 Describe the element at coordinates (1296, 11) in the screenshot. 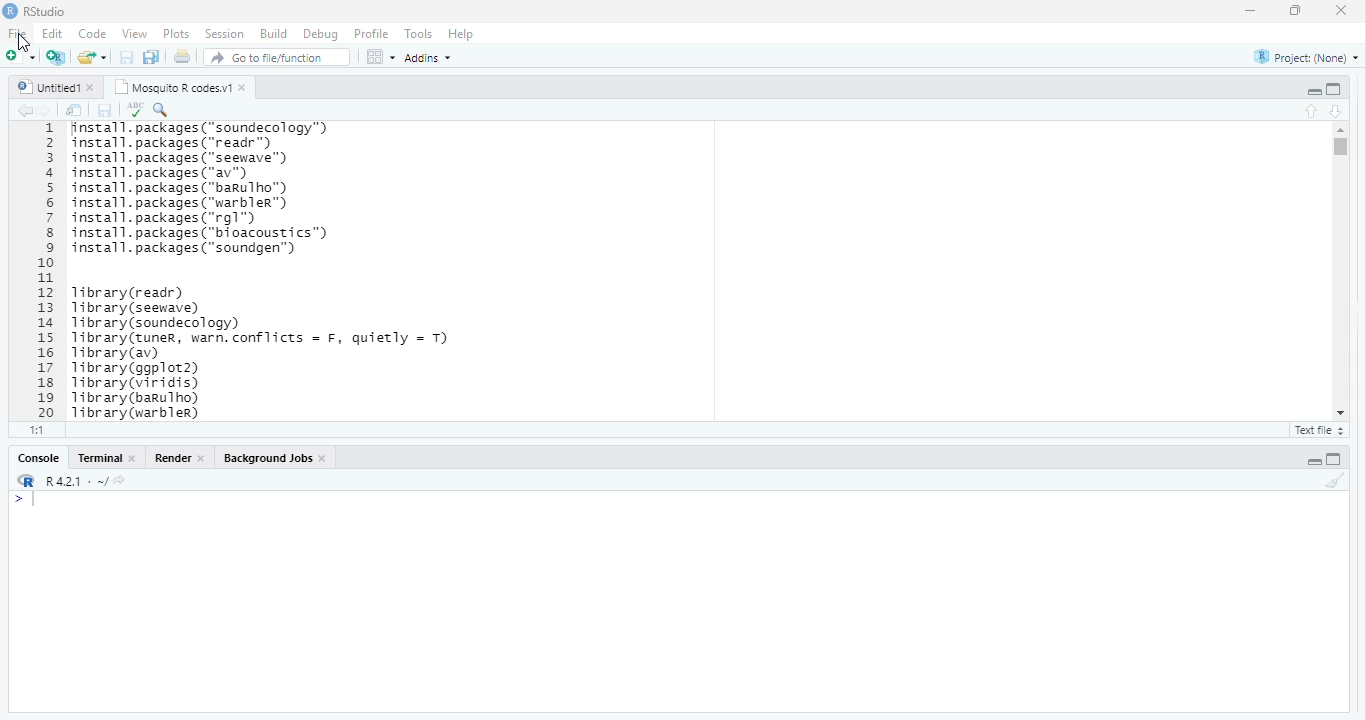

I see `maximise` at that location.